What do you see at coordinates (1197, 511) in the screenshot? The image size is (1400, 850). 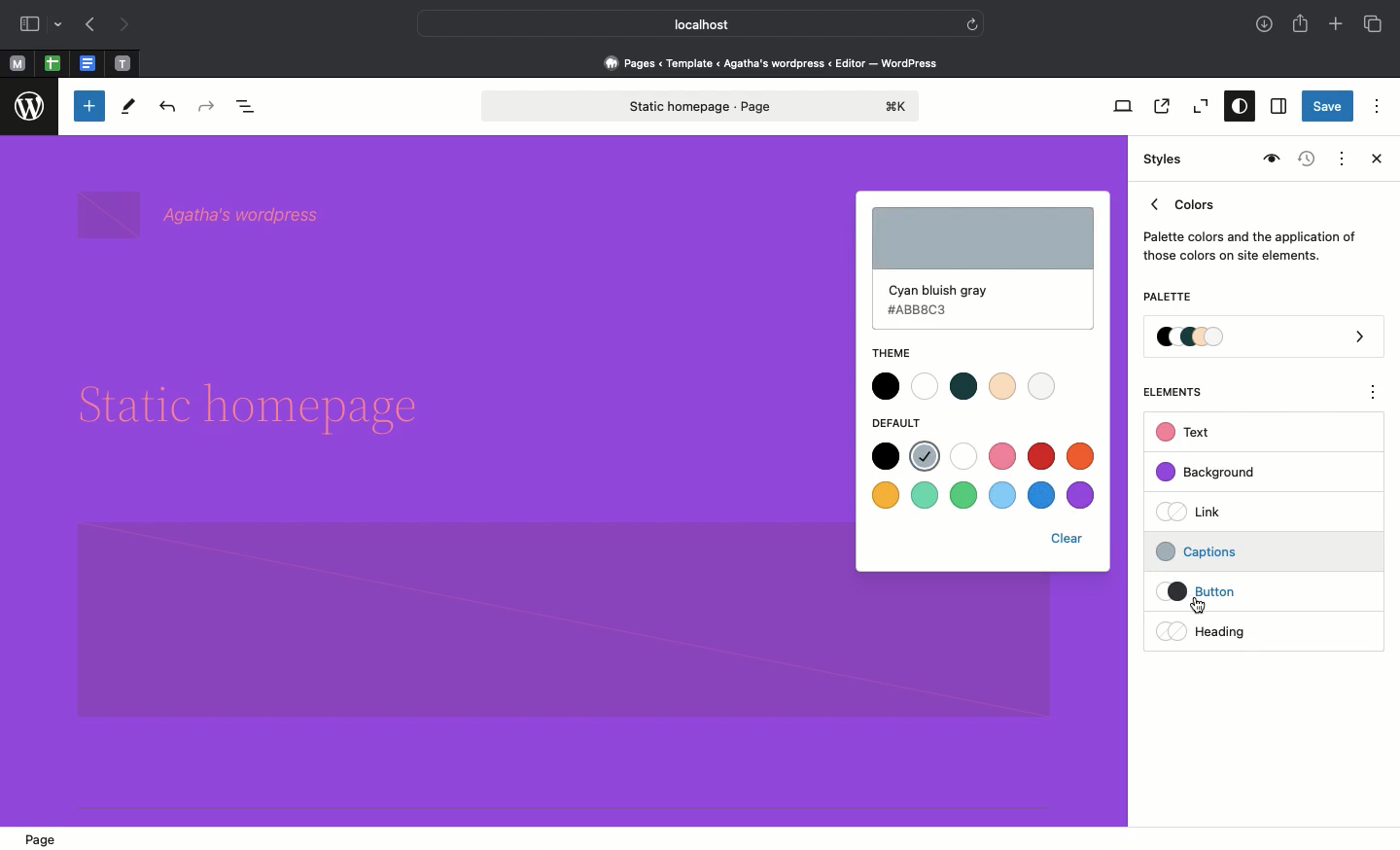 I see `Link` at bounding box center [1197, 511].